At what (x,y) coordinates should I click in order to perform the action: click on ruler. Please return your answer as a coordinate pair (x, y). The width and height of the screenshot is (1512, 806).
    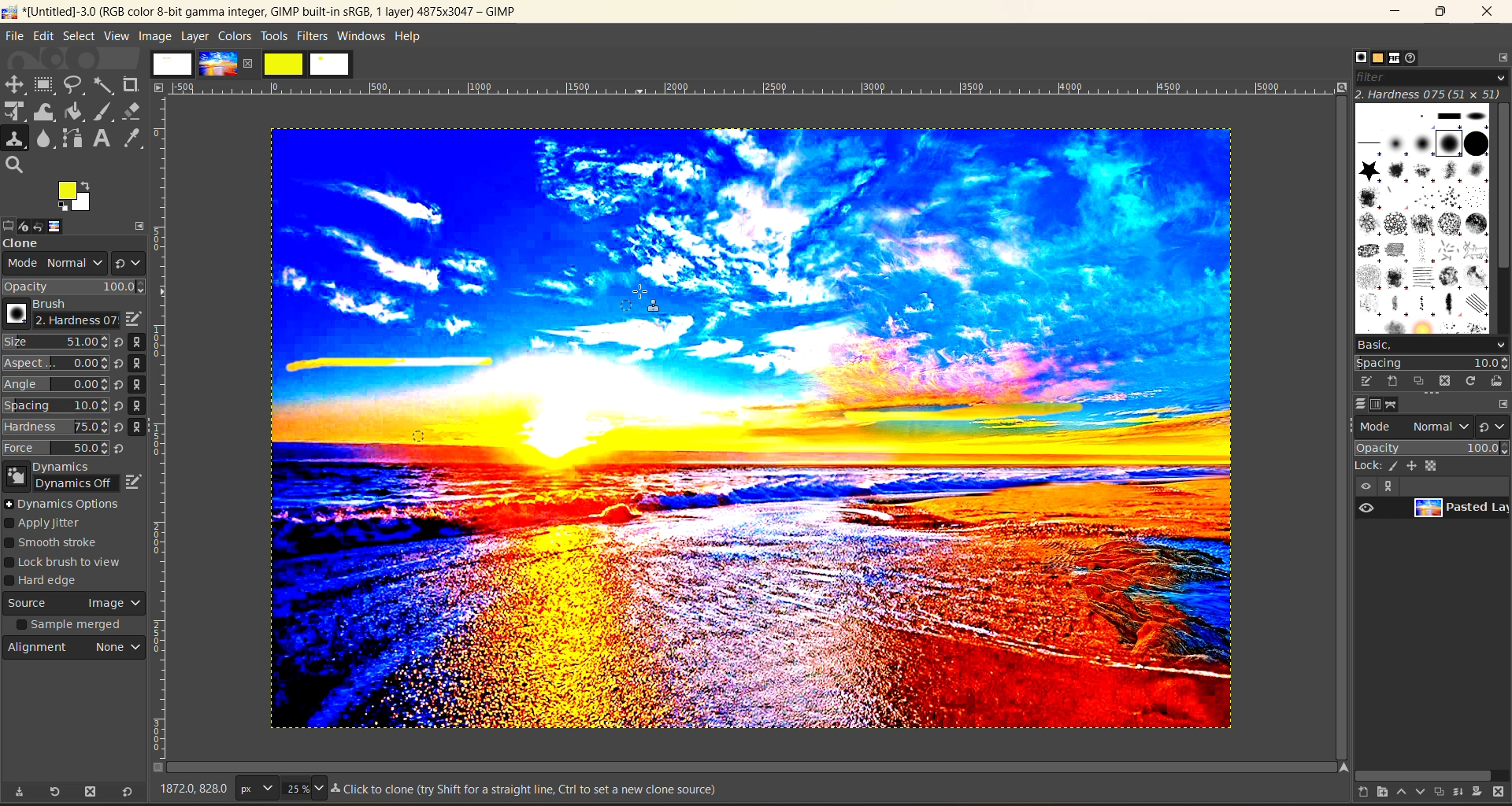
    Looking at the image, I should click on (165, 431).